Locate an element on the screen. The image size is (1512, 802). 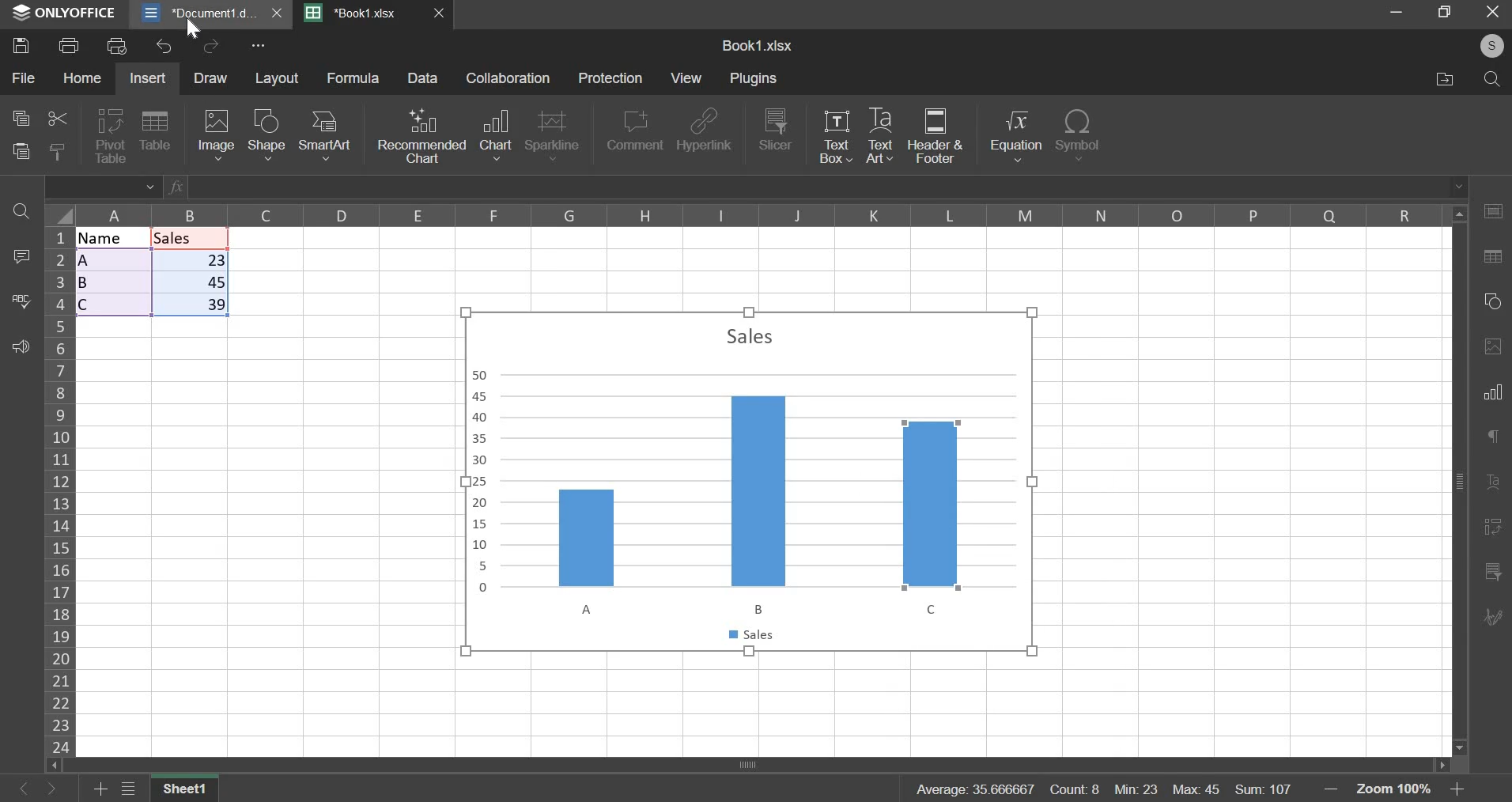
min is located at coordinates (1134, 789).